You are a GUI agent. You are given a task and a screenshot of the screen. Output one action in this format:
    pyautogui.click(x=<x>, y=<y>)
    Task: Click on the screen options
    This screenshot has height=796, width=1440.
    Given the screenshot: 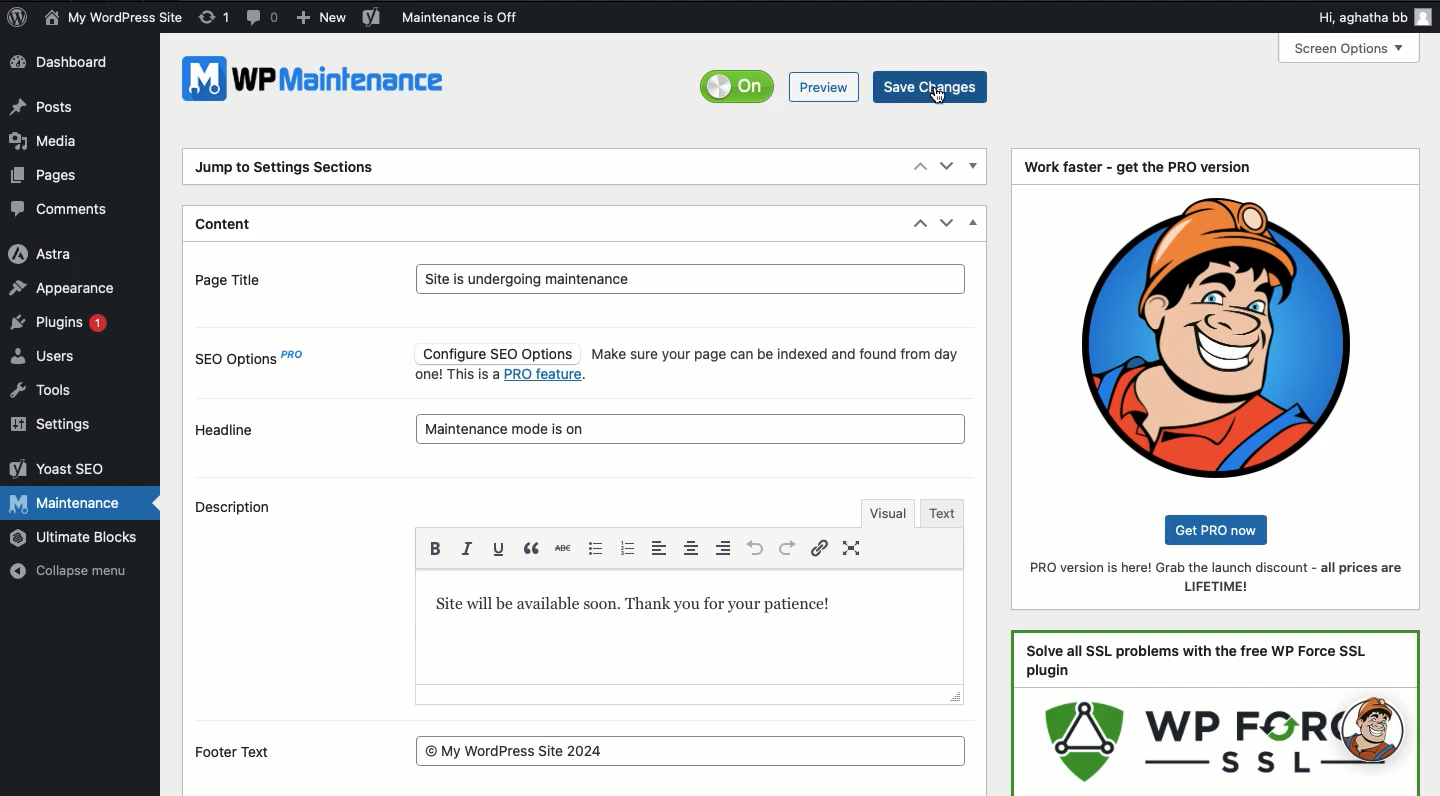 What is the action you would take?
    pyautogui.click(x=1347, y=48)
    